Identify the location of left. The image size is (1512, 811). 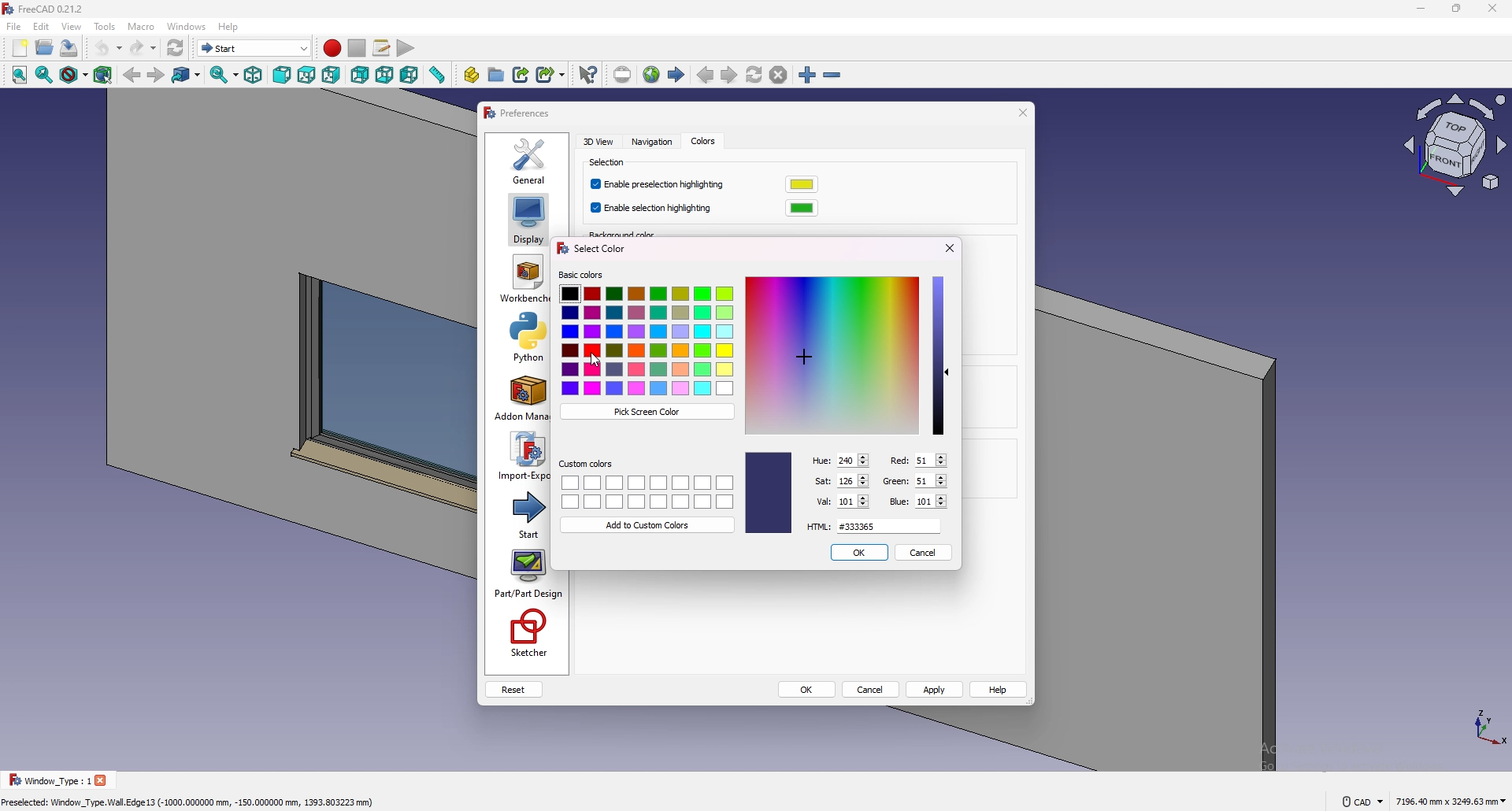
(410, 75).